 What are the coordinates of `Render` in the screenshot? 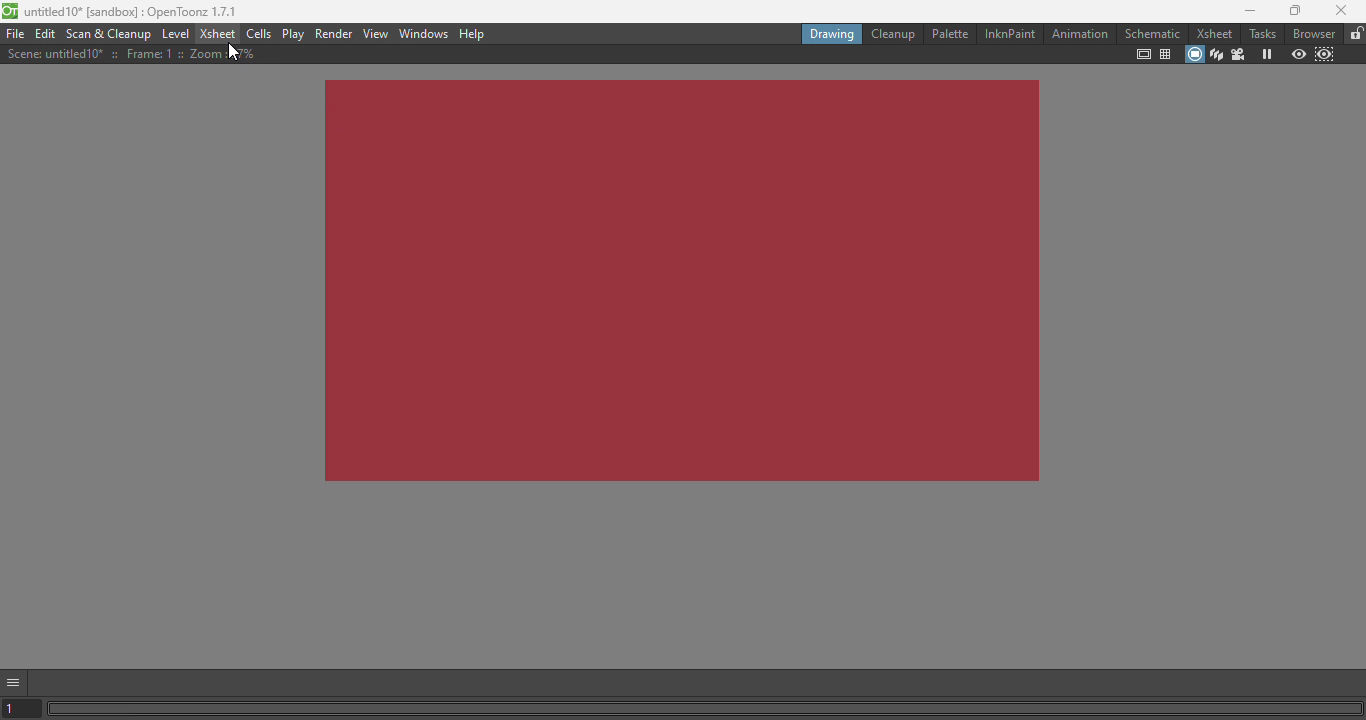 It's located at (334, 32).